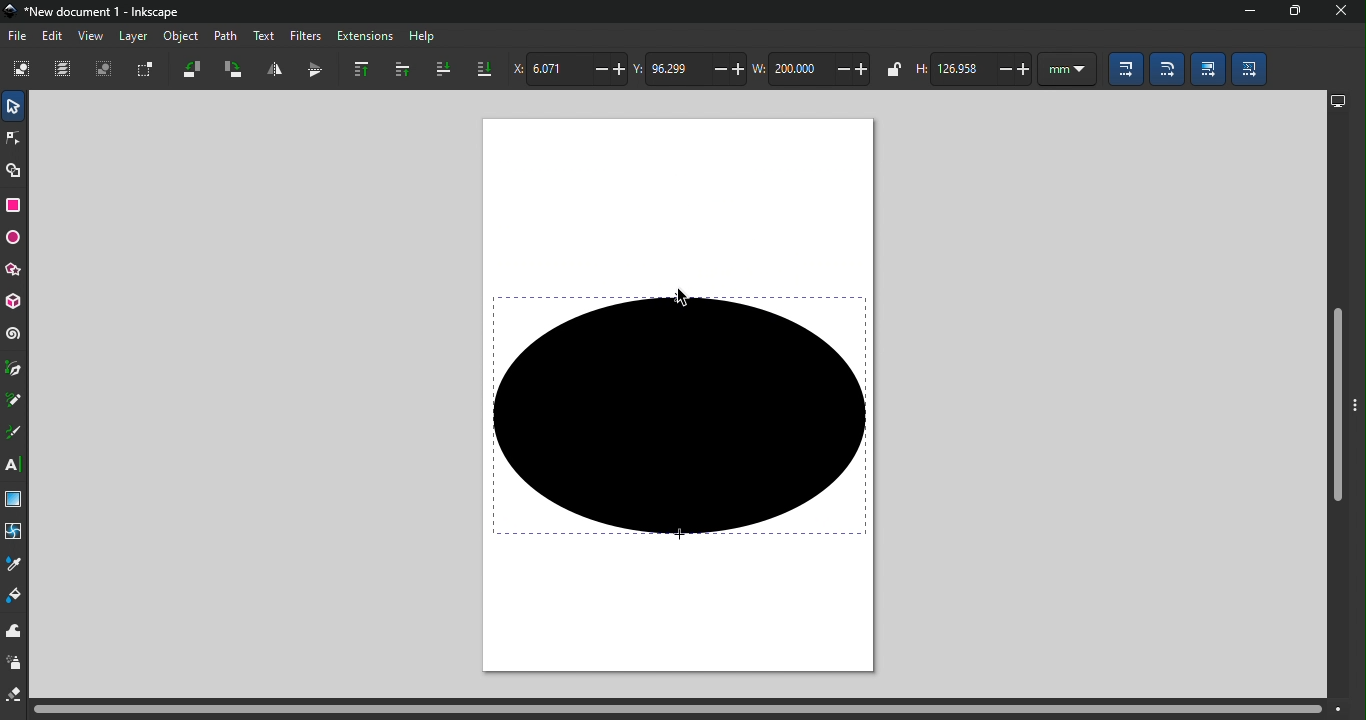  I want to click on Mesh tool, so click(14, 532).